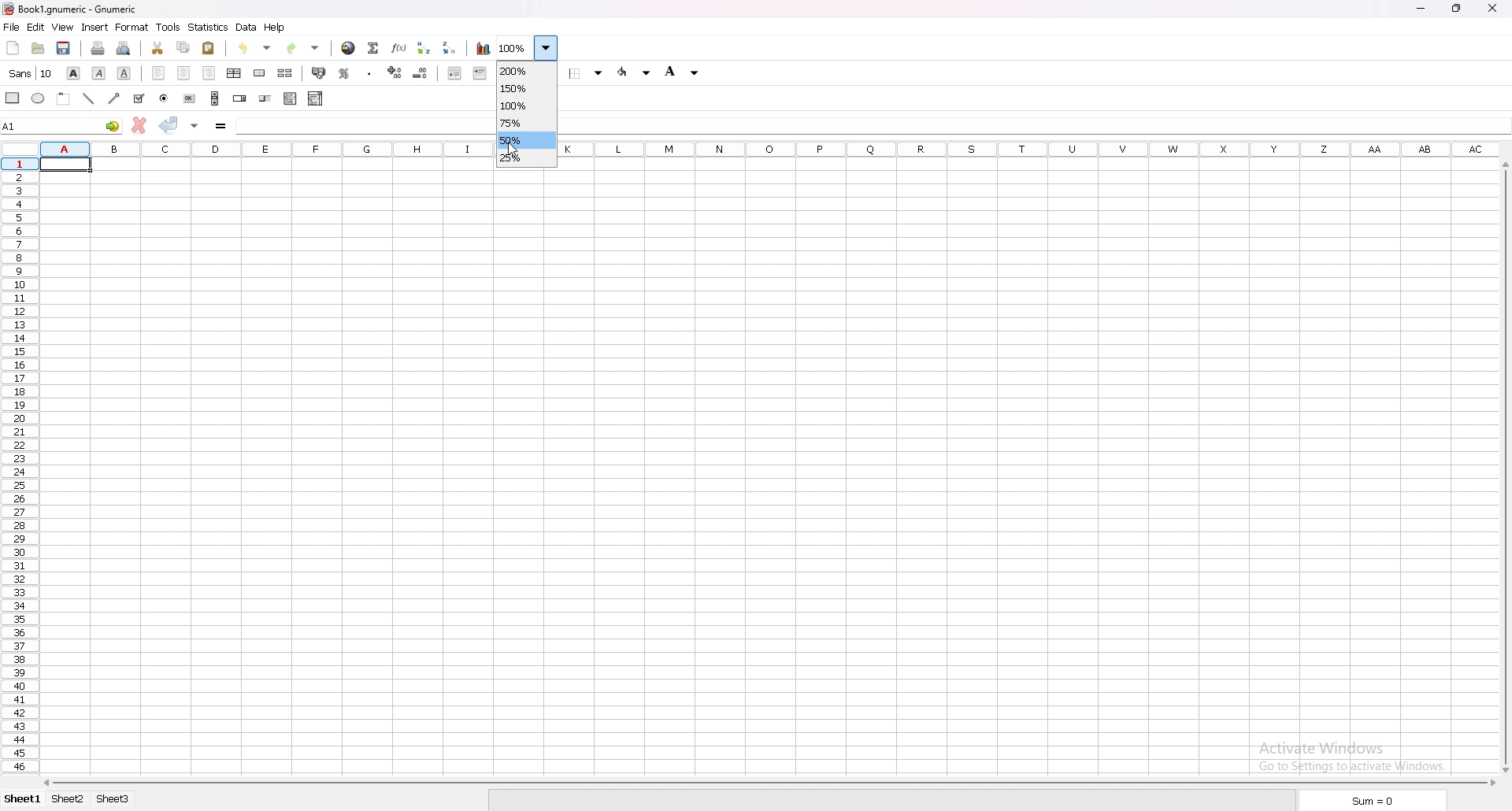 The height and width of the screenshot is (811, 1512). I want to click on format, so click(132, 27).